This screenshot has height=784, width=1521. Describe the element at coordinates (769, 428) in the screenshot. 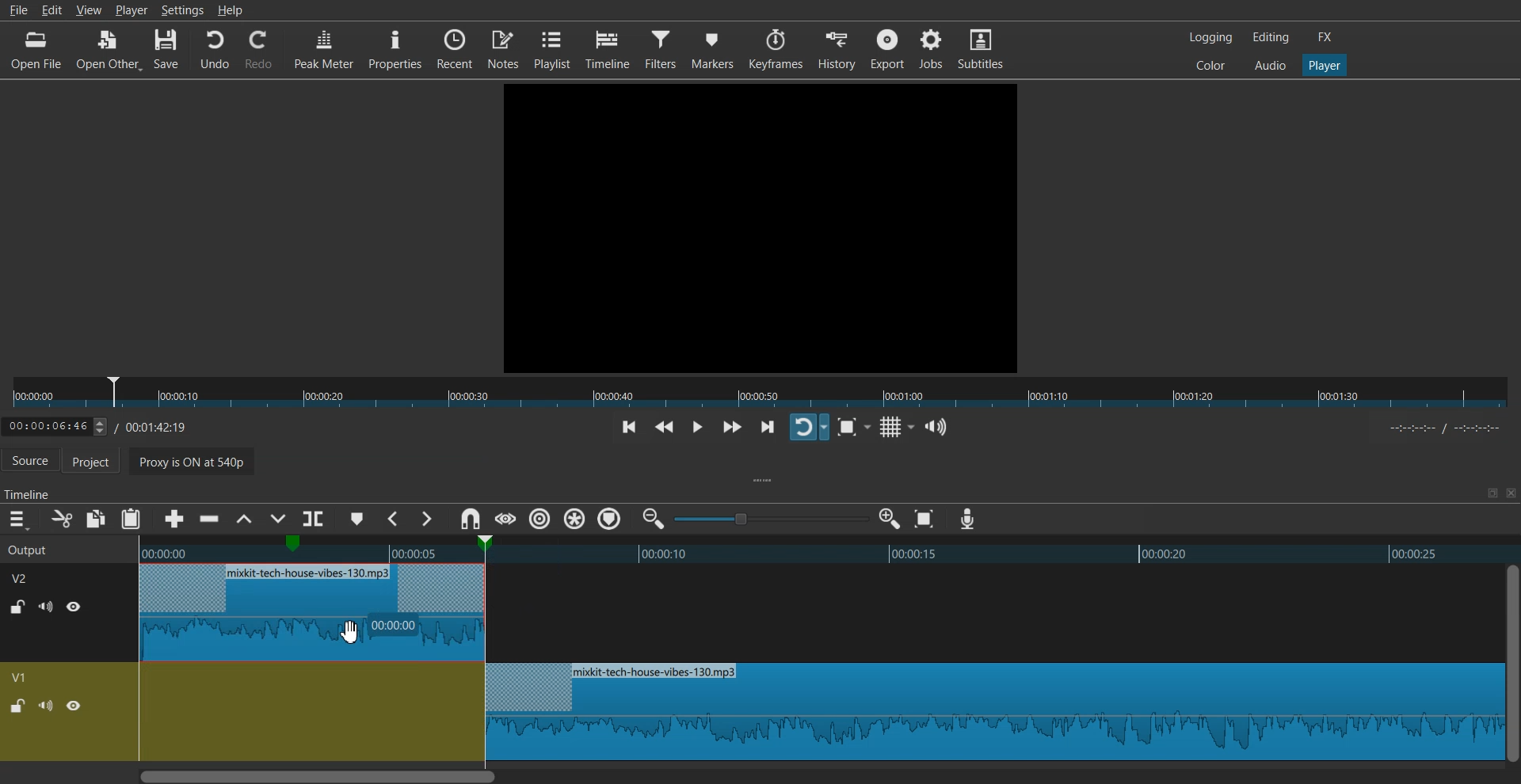

I see `Skip to next point` at that location.